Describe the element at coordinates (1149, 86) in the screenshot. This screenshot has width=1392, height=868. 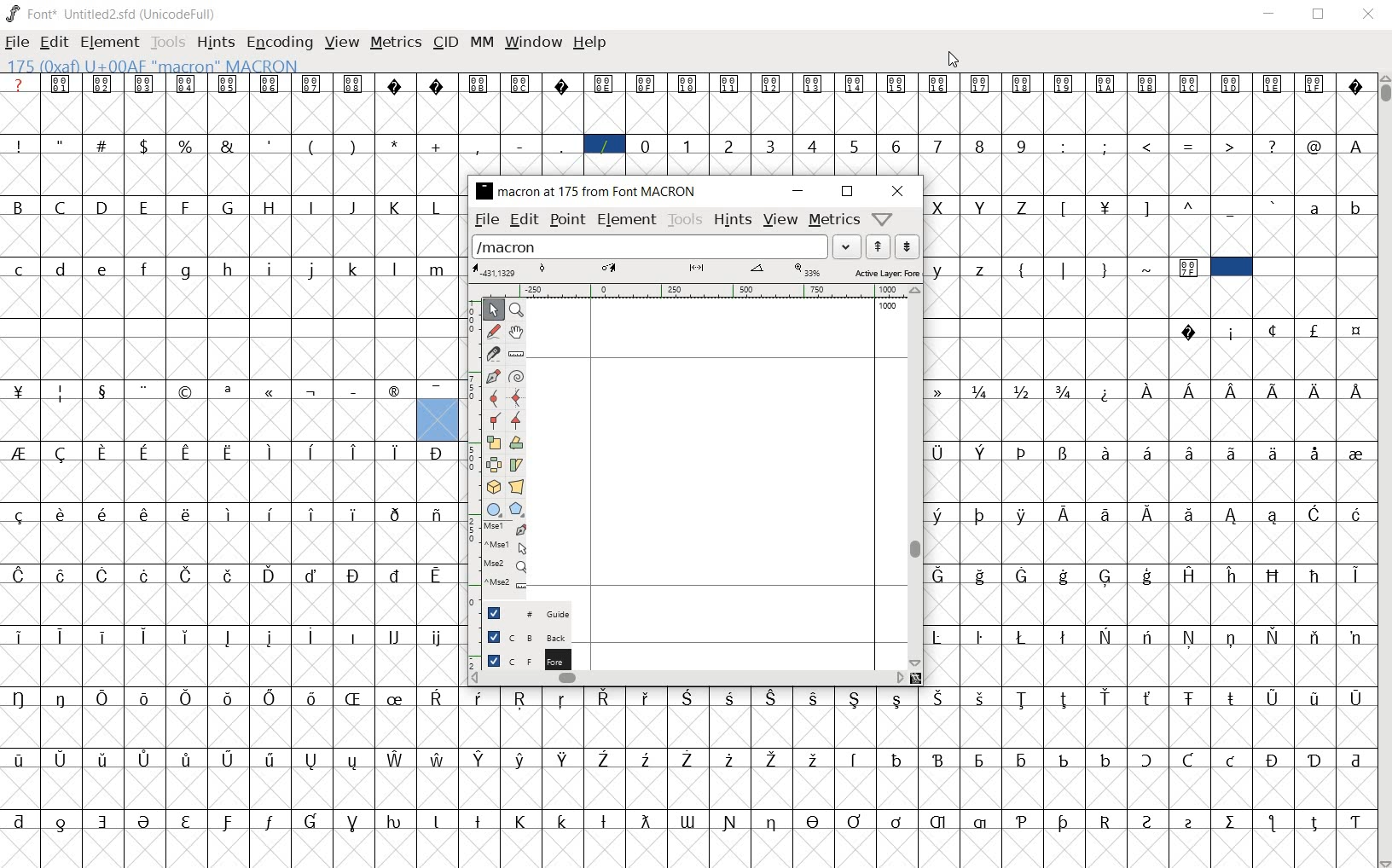
I see `Symbol` at that location.